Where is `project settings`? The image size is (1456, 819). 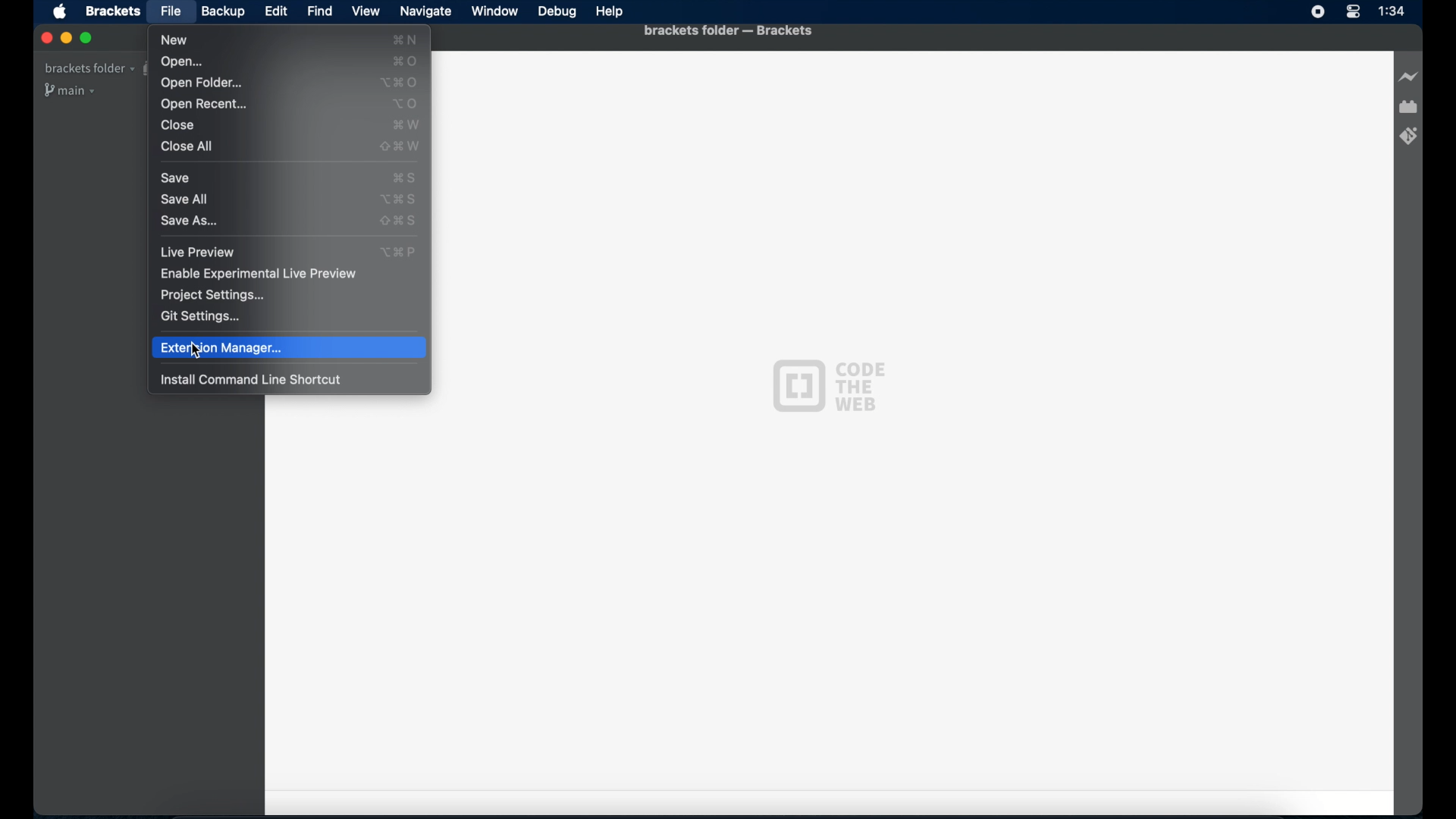
project settings is located at coordinates (212, 296).